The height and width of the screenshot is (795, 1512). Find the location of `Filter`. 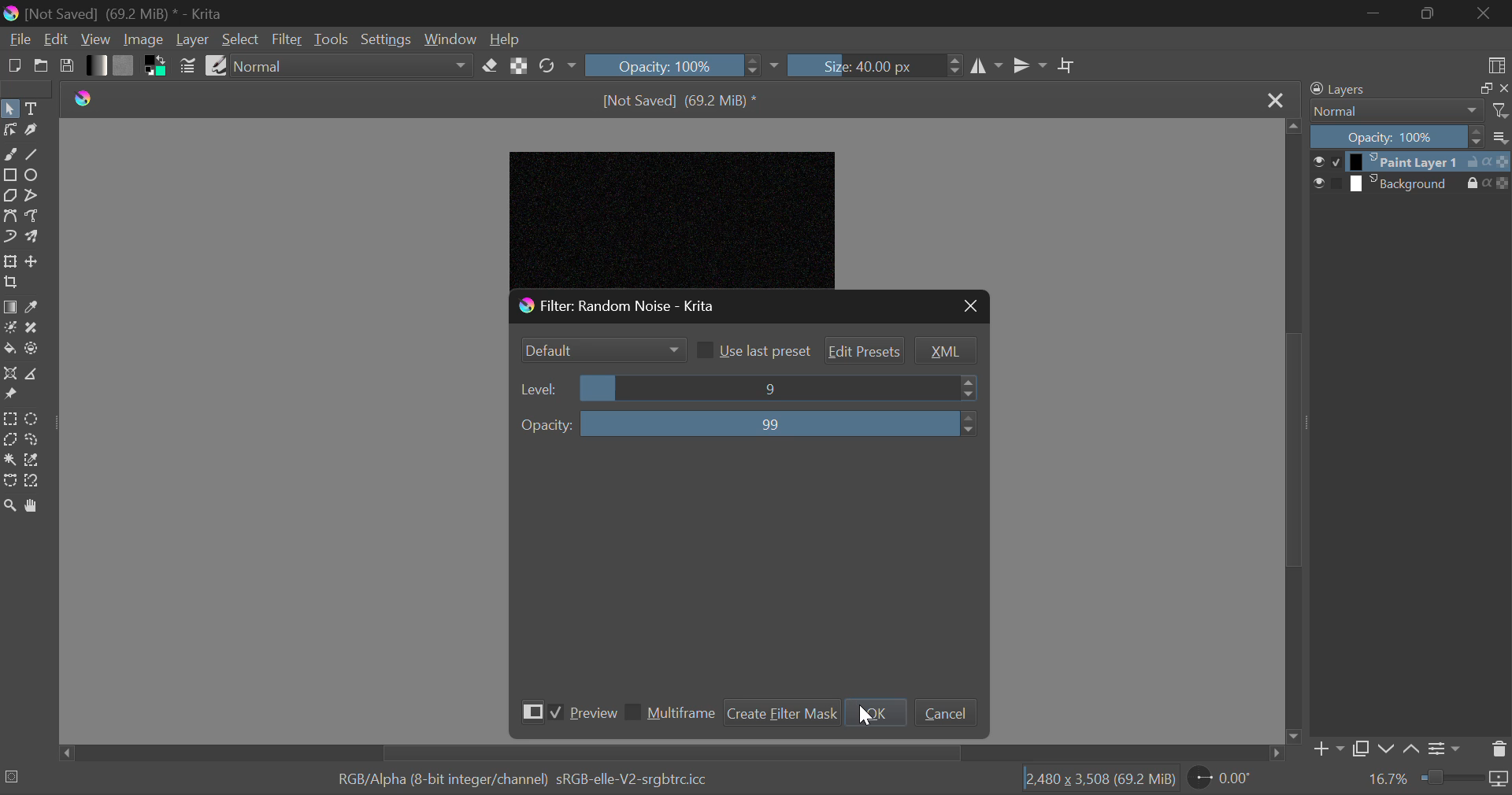

Filter is located at coordinates (287, 40).